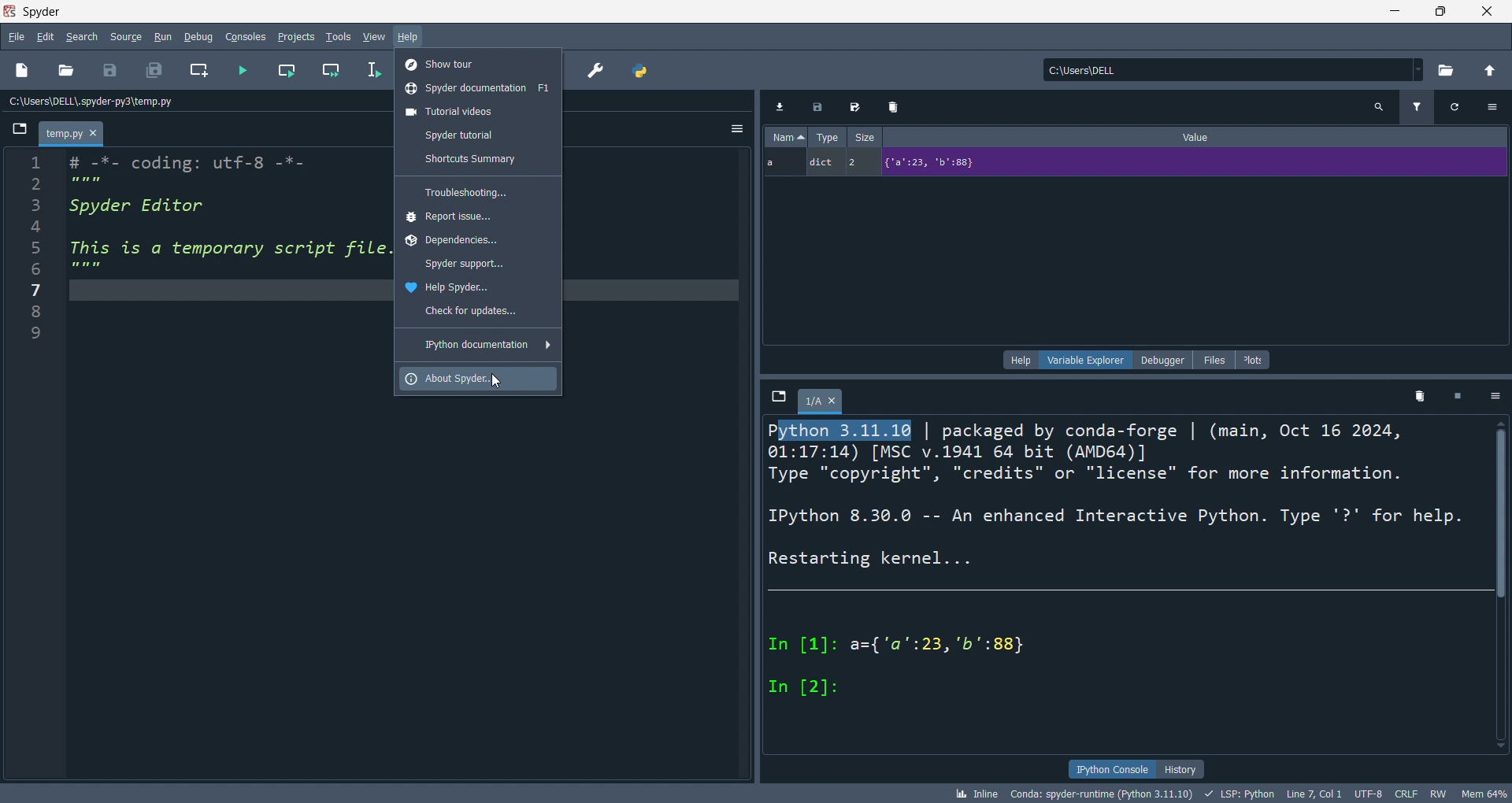 The width and height of the screenshot is (1512, 803). Describe the element at coordinates (1501, 584) in the screenshot. I see `Vertical scroll bar` at that location.